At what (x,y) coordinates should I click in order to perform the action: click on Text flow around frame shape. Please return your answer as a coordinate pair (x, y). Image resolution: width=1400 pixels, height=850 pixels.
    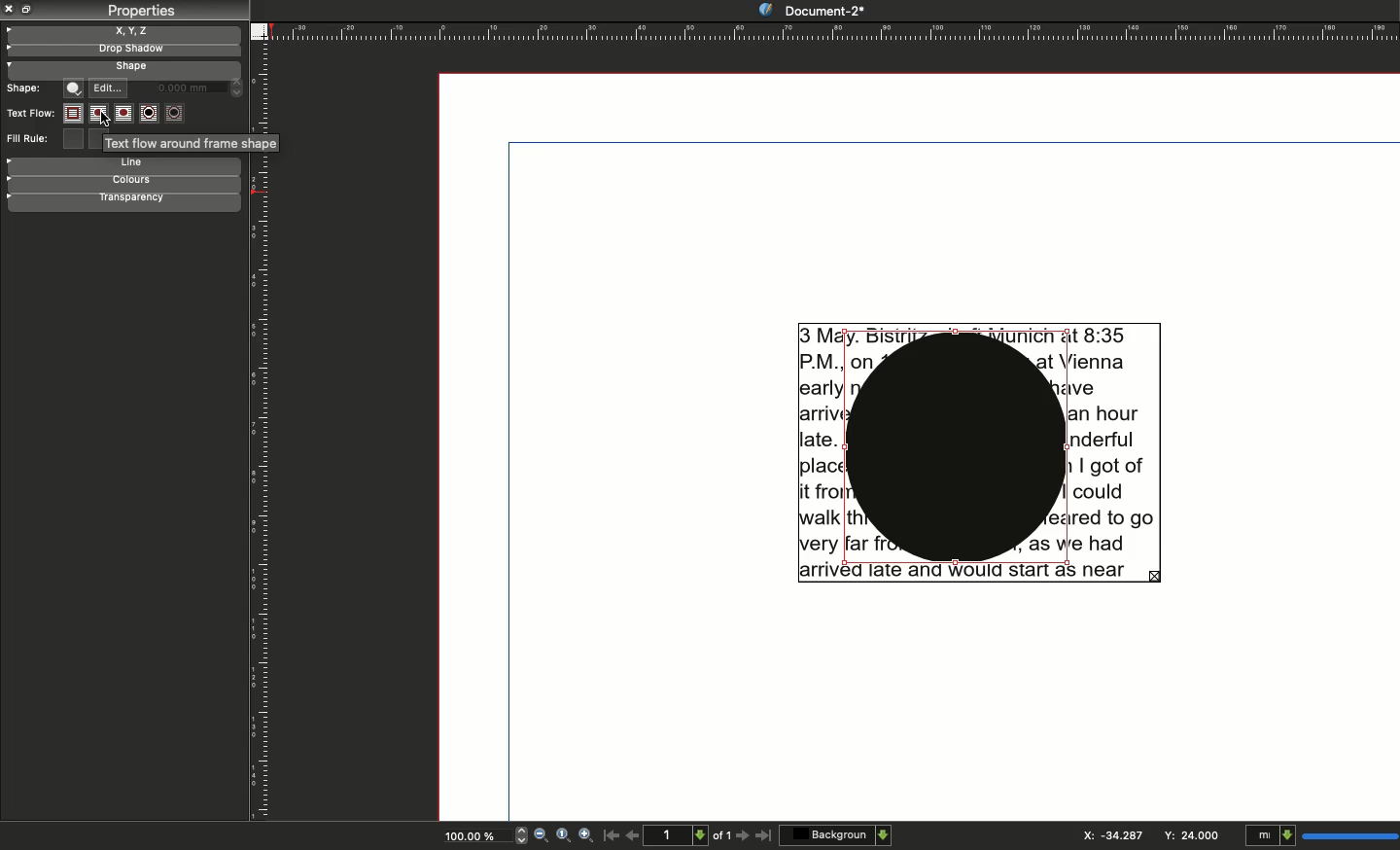
    Looking at the image, I should click on (189, 143).